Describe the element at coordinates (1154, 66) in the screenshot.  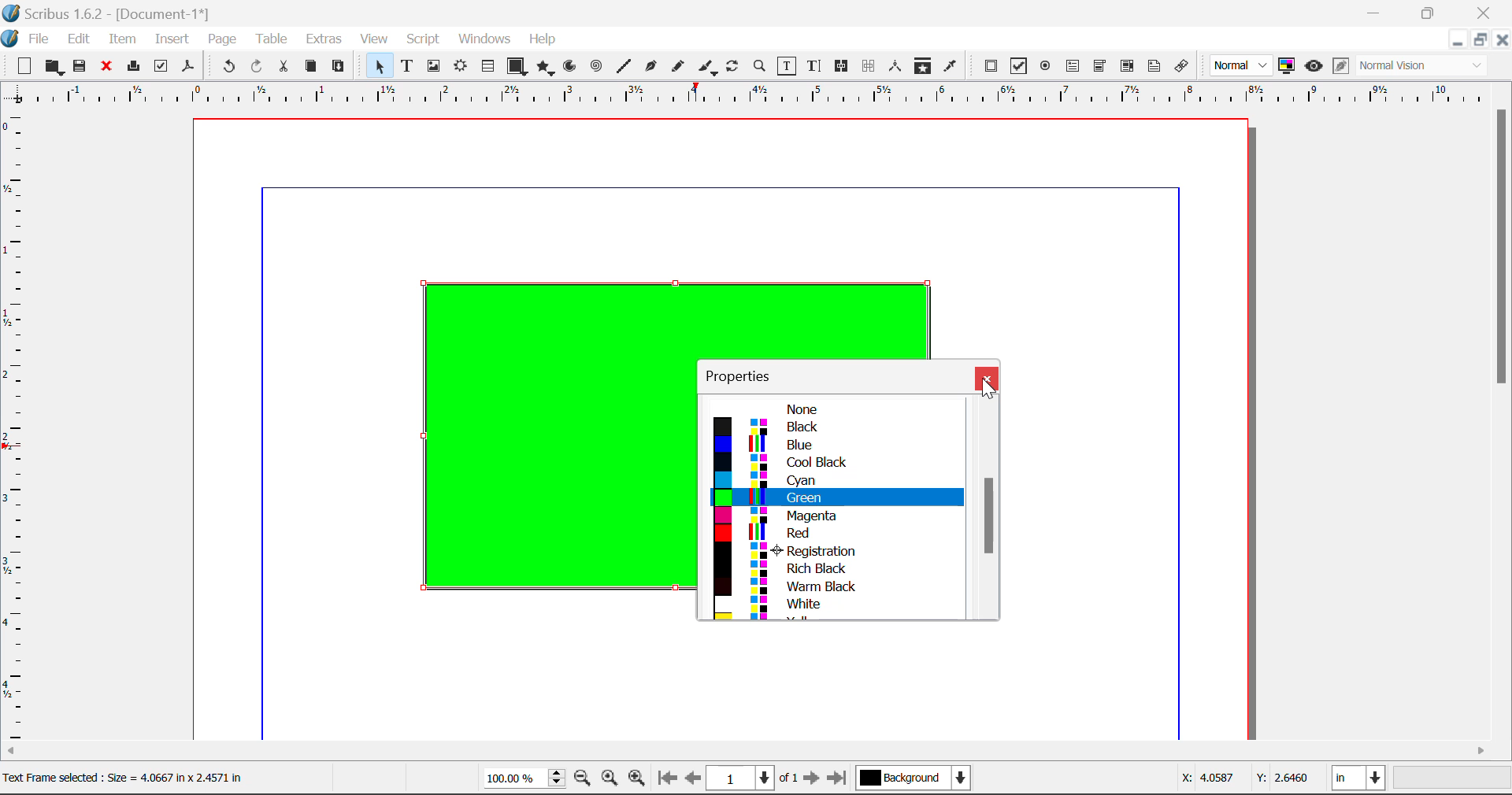
I see `Text Annotation` at that location.